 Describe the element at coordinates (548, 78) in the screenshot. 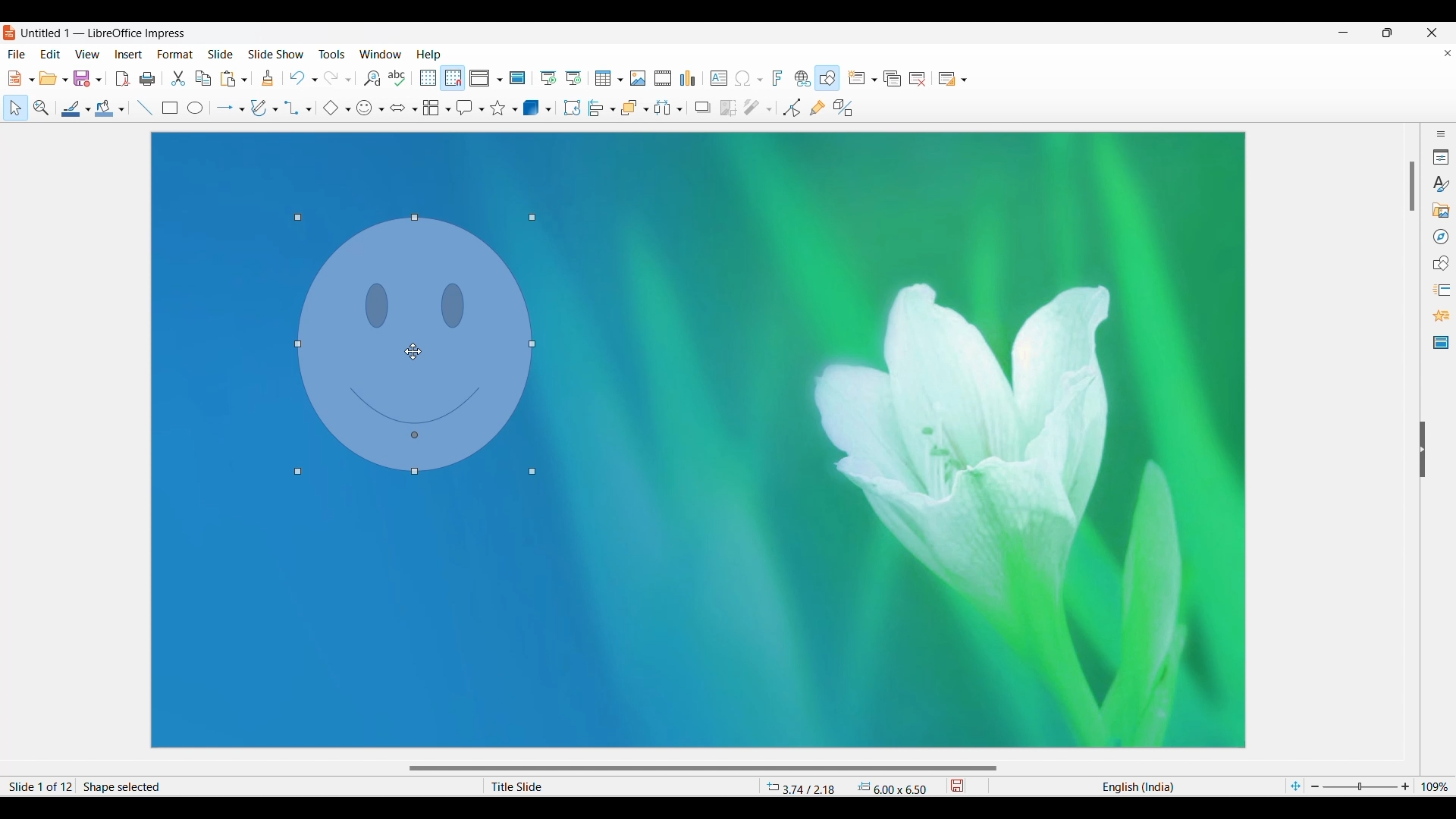

I see `Start from first slide` at that location.